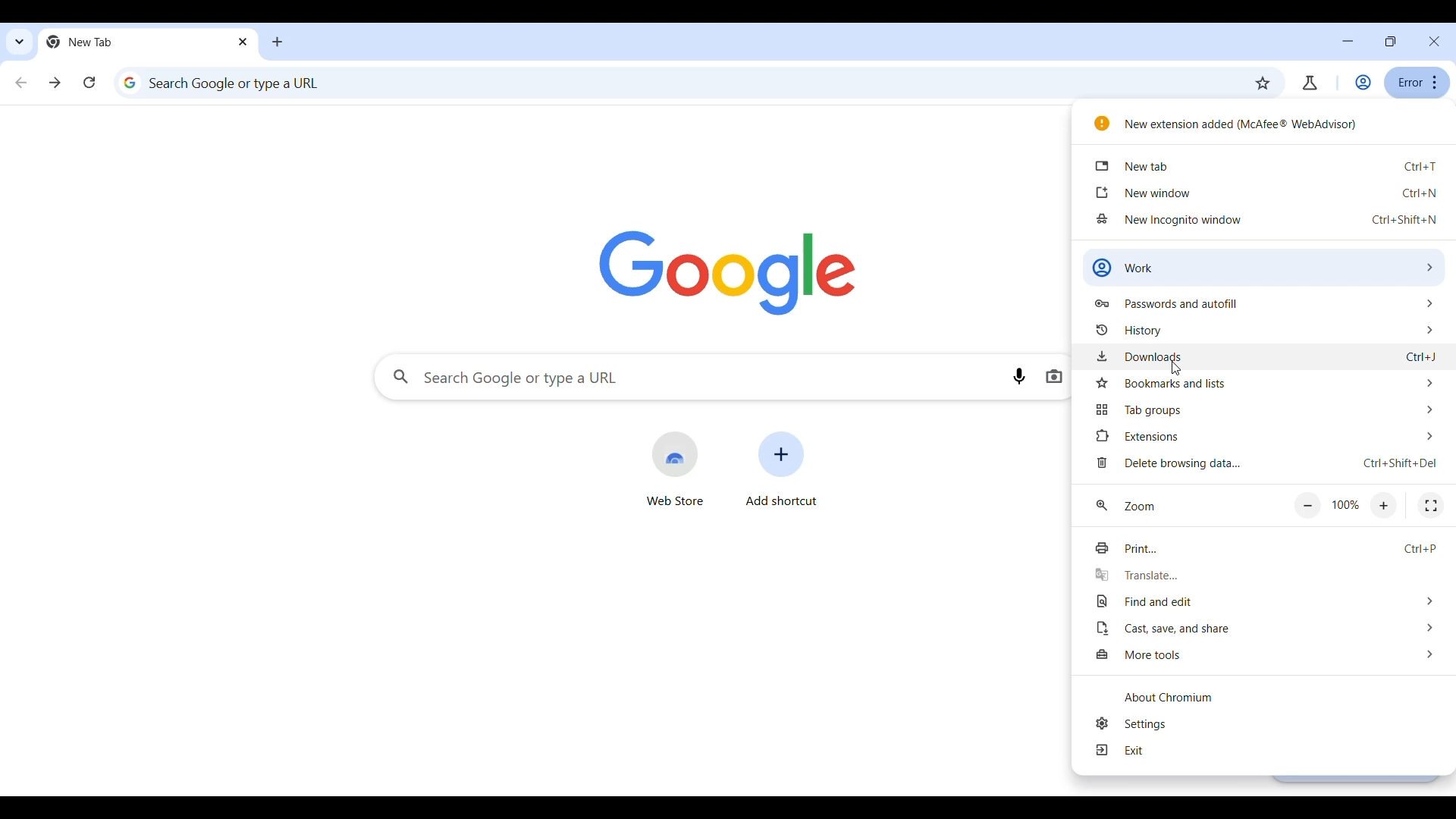 The height and width of the screenshot is (819, 1456). I want to click on Delete browsing data, so click(1266, 463).